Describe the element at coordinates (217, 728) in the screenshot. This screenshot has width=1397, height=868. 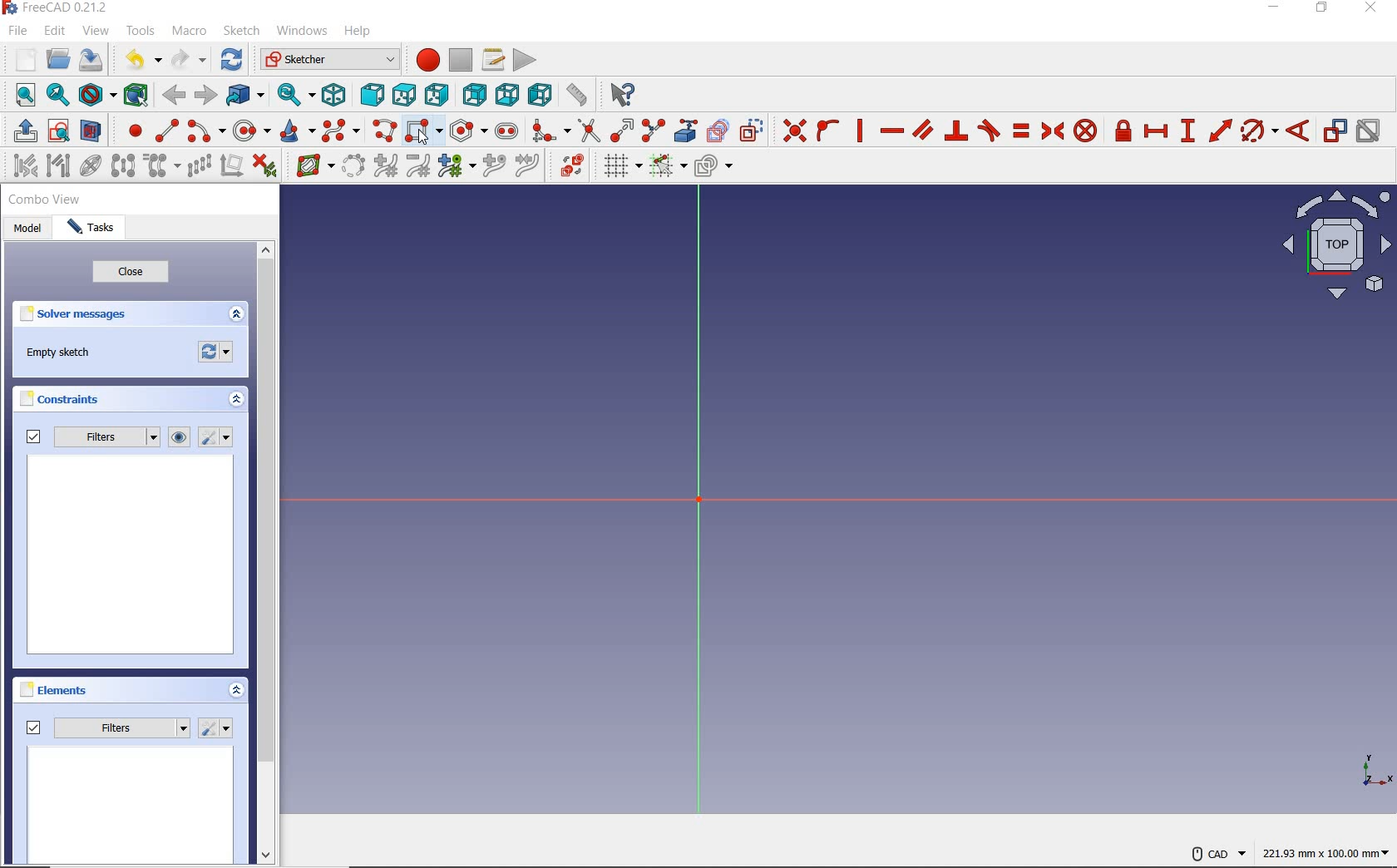
I see `settings` at that location.